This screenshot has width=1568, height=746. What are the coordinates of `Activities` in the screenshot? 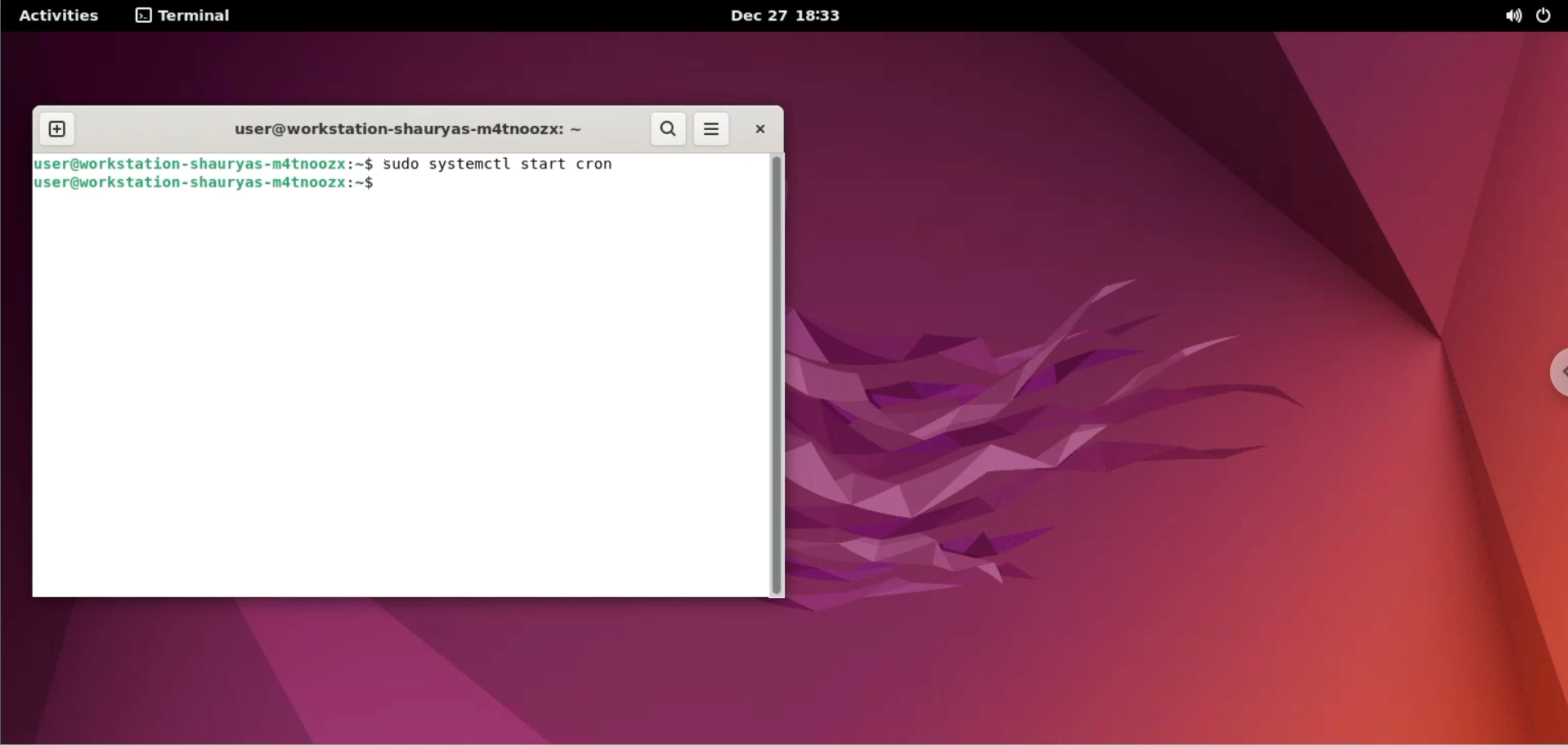 It's located at (58, 16).